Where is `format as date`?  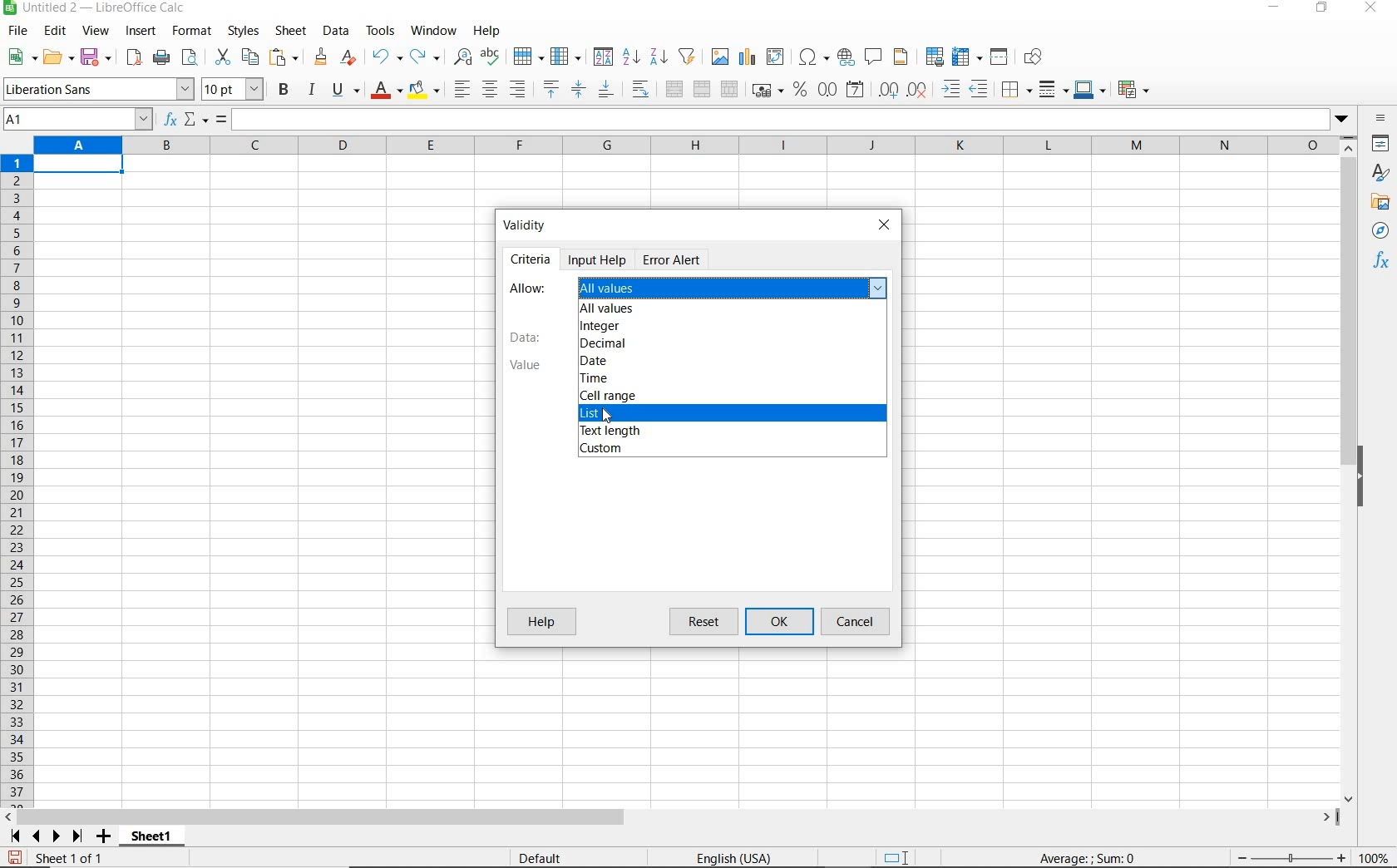 format as date is located at coordinates (856, 89).